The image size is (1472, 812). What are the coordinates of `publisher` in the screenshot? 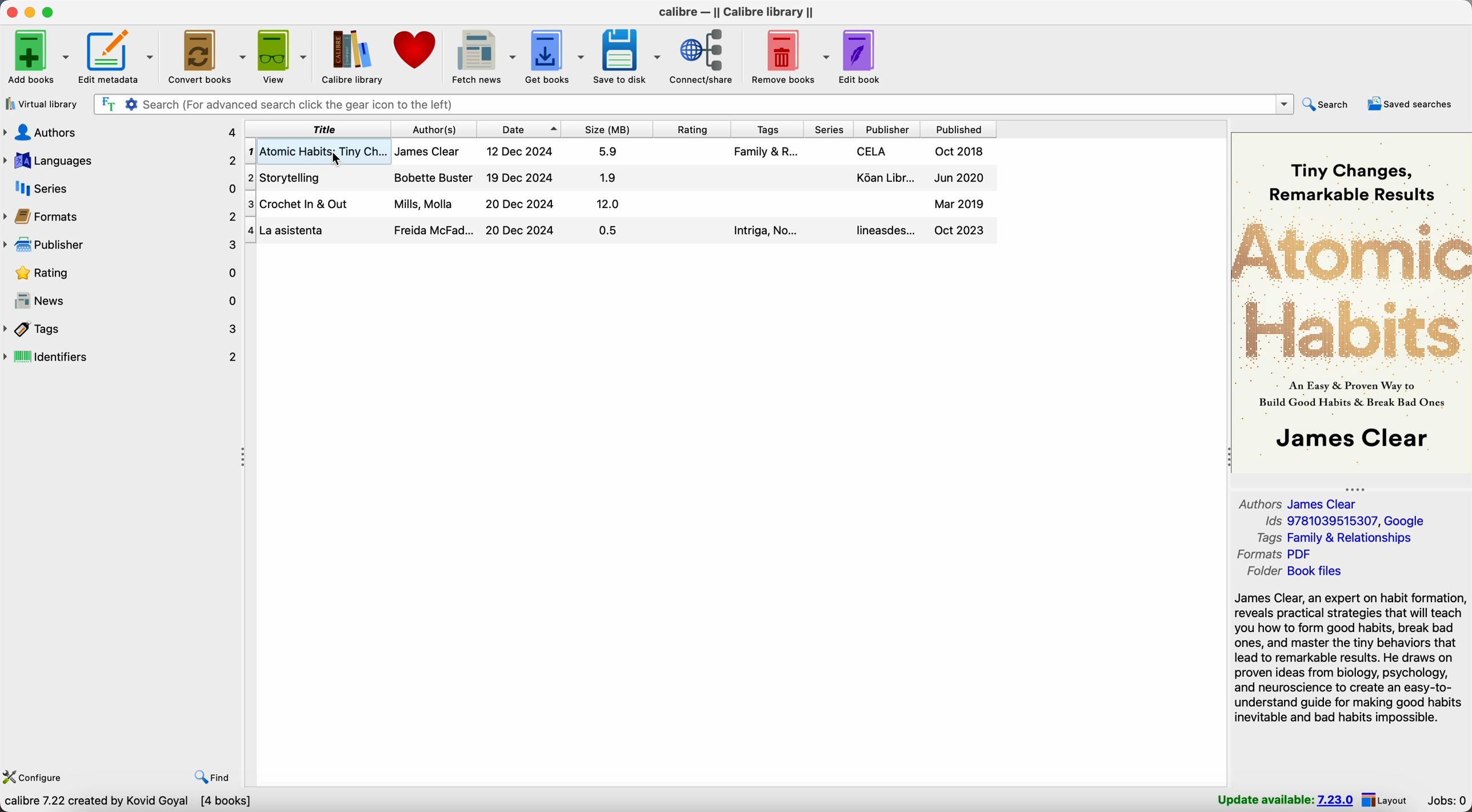 It's located at (121, 245).